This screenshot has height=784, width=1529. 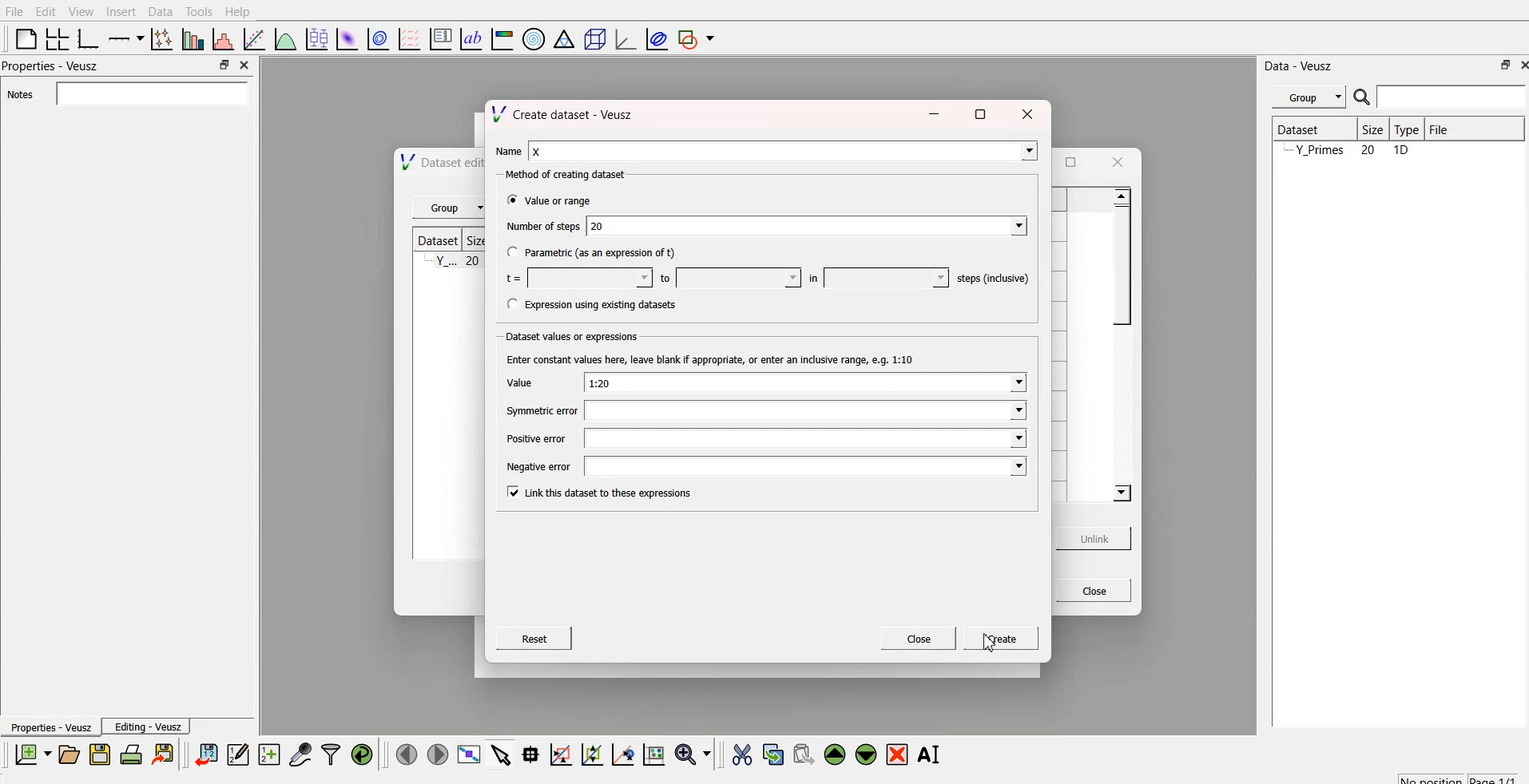 What do you see at coordinates (22, 38) in the screenshot?
I see `blank page` at bounding box center [22, 38].